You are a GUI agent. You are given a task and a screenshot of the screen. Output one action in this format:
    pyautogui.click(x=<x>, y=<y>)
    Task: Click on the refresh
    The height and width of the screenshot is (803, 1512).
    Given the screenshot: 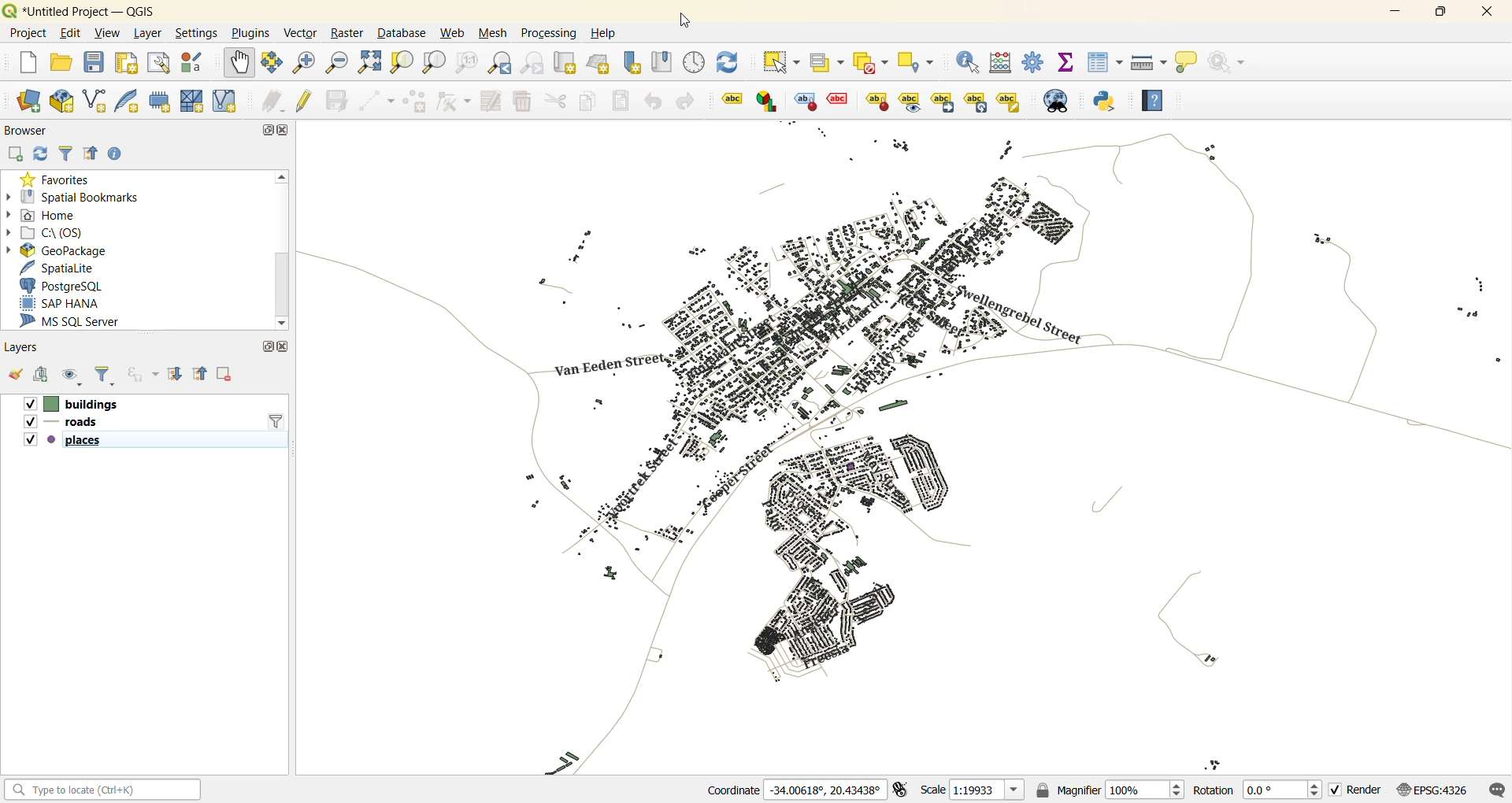 What is the action you would take?
    pyautogui.click(x=39, y=154)
    